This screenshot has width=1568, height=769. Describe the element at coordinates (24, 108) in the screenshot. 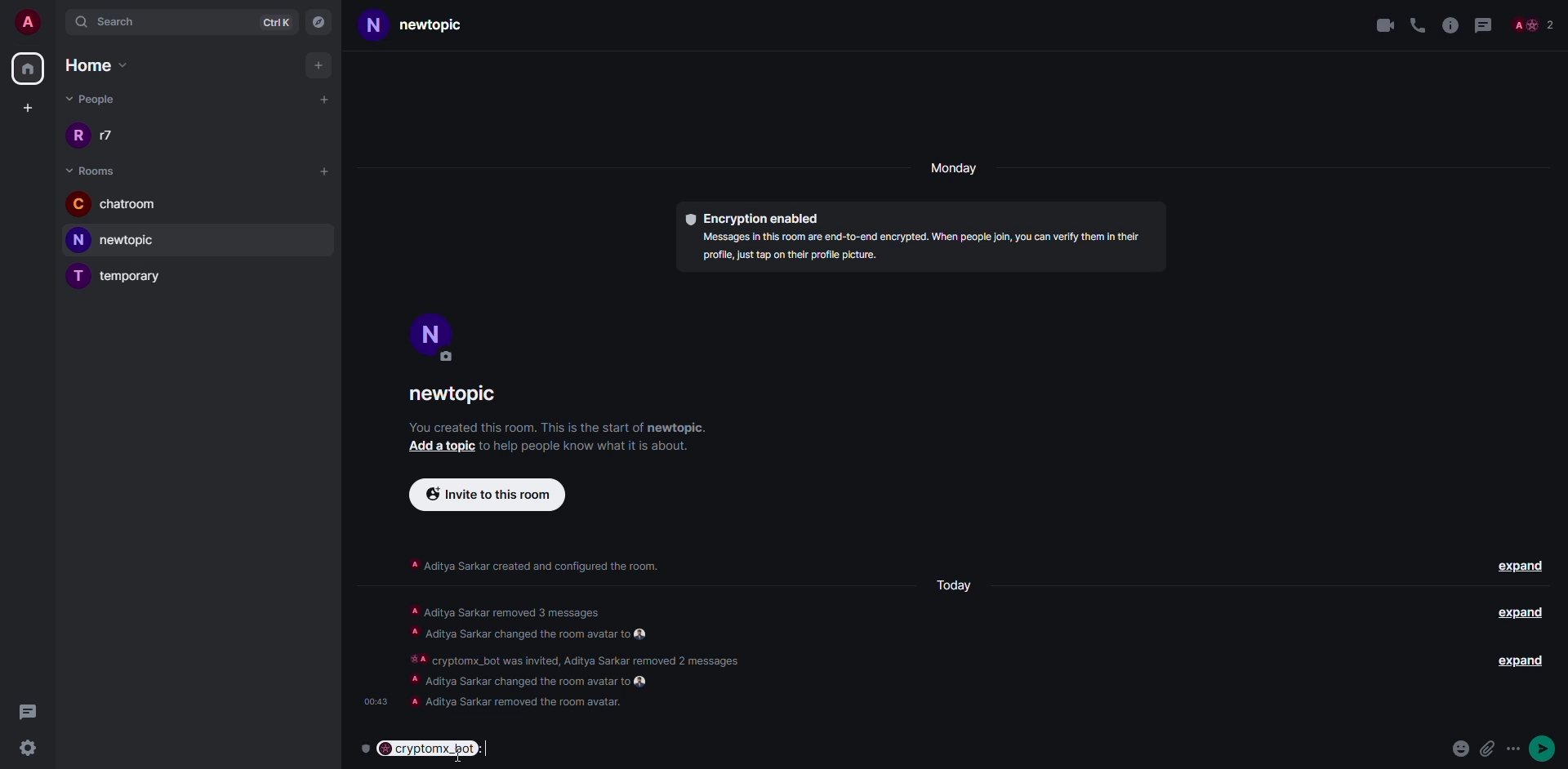

I see `create space` at that location.